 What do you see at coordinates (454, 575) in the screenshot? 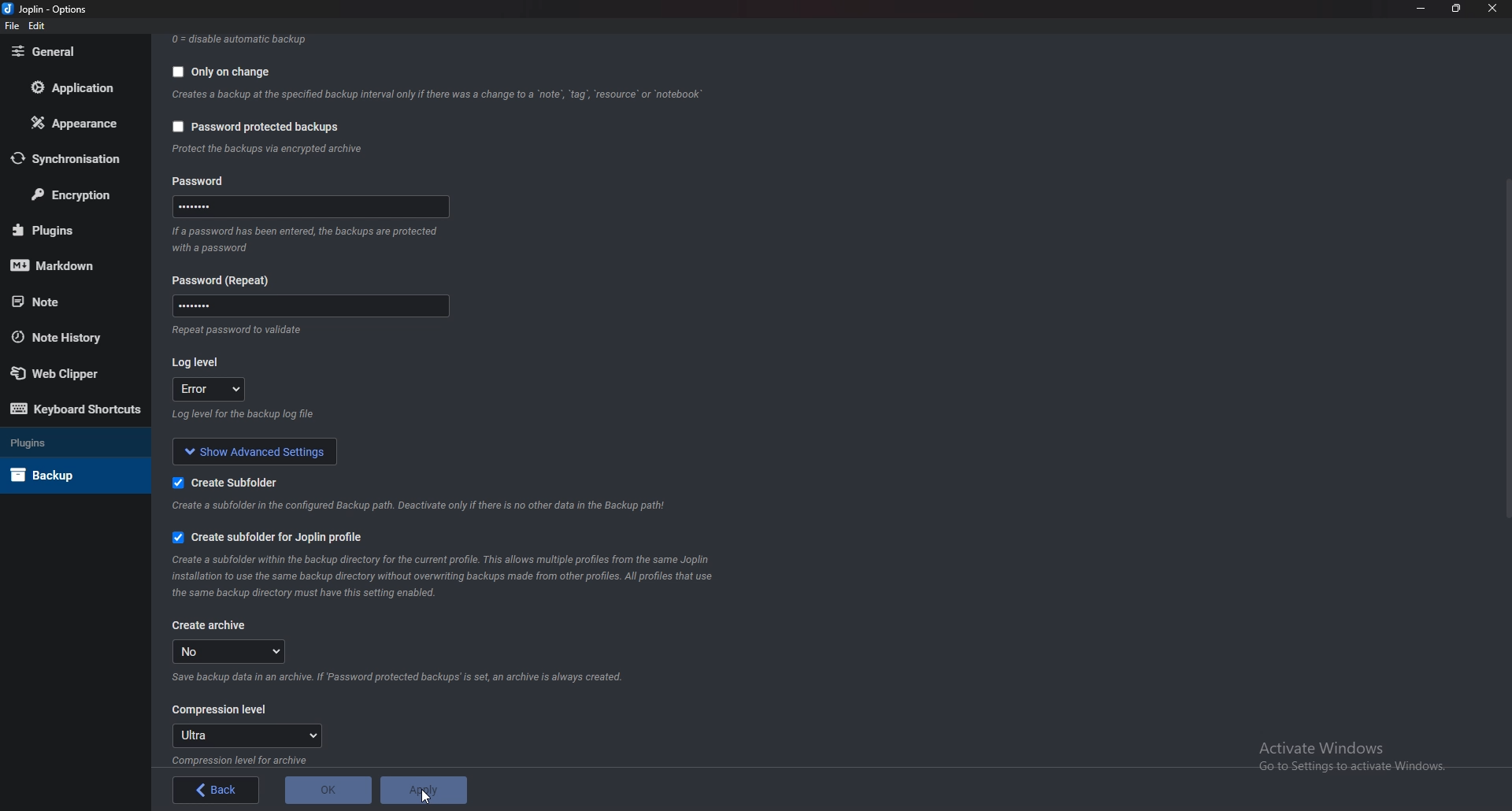
I see `info on subfolder for joplin profile` at bounding box center [454, 575].